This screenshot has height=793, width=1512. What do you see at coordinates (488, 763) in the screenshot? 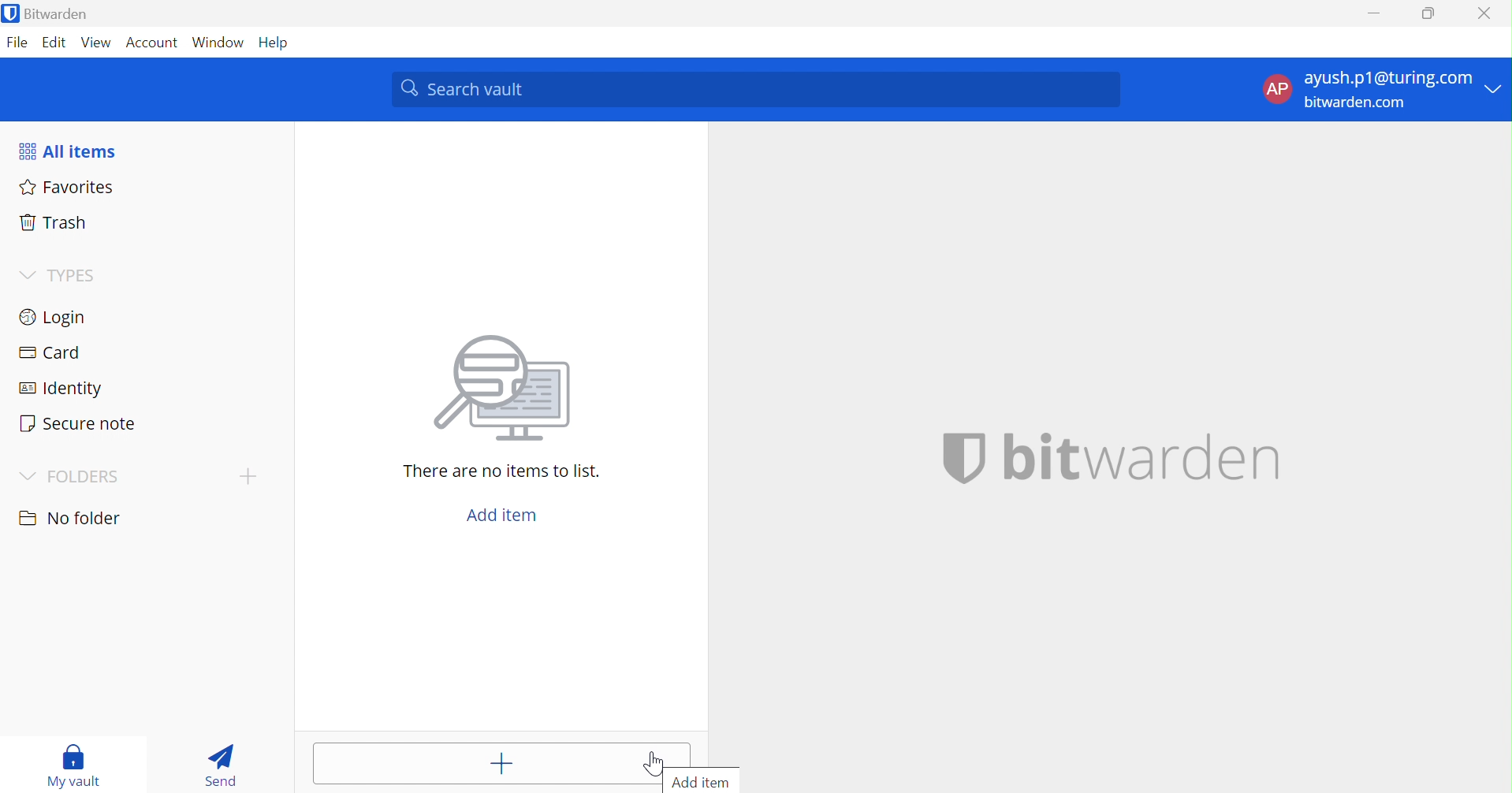
I see `Add item` at bounding box center [488, 763].